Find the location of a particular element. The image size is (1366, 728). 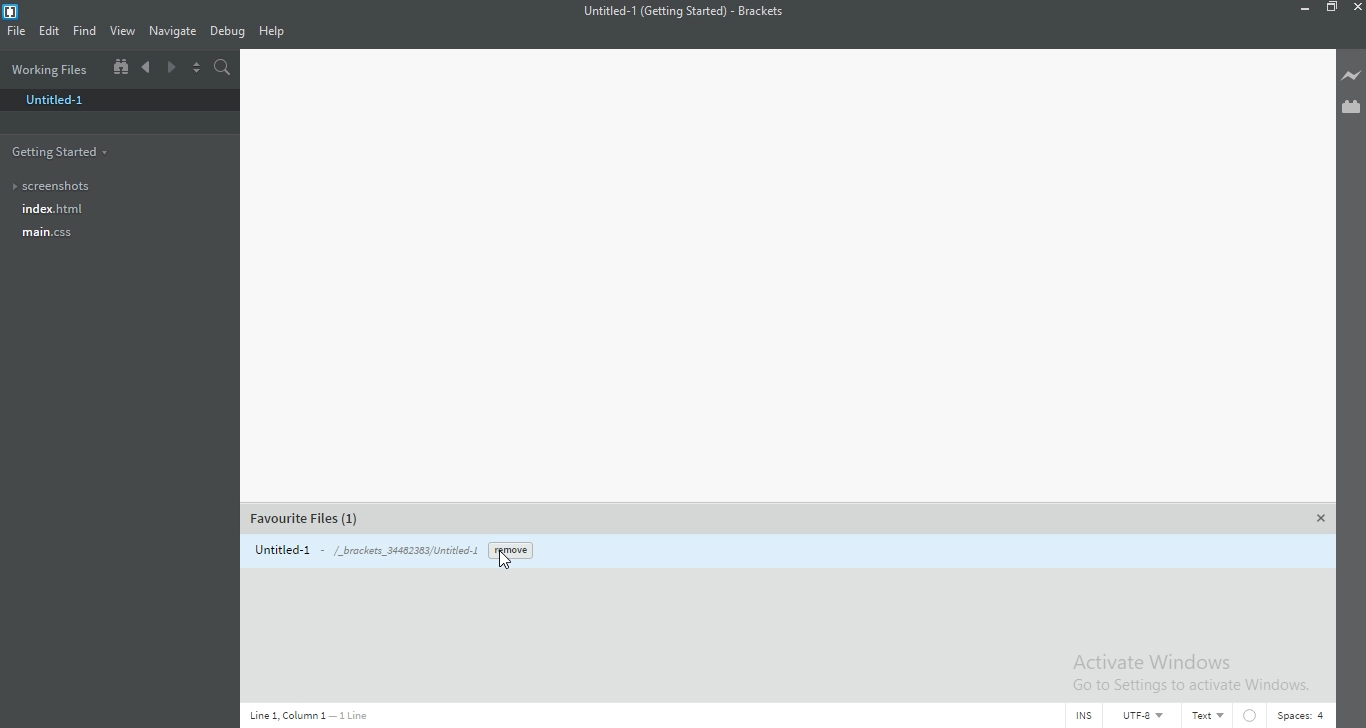

Find in files is located at coordinates (224, 71).